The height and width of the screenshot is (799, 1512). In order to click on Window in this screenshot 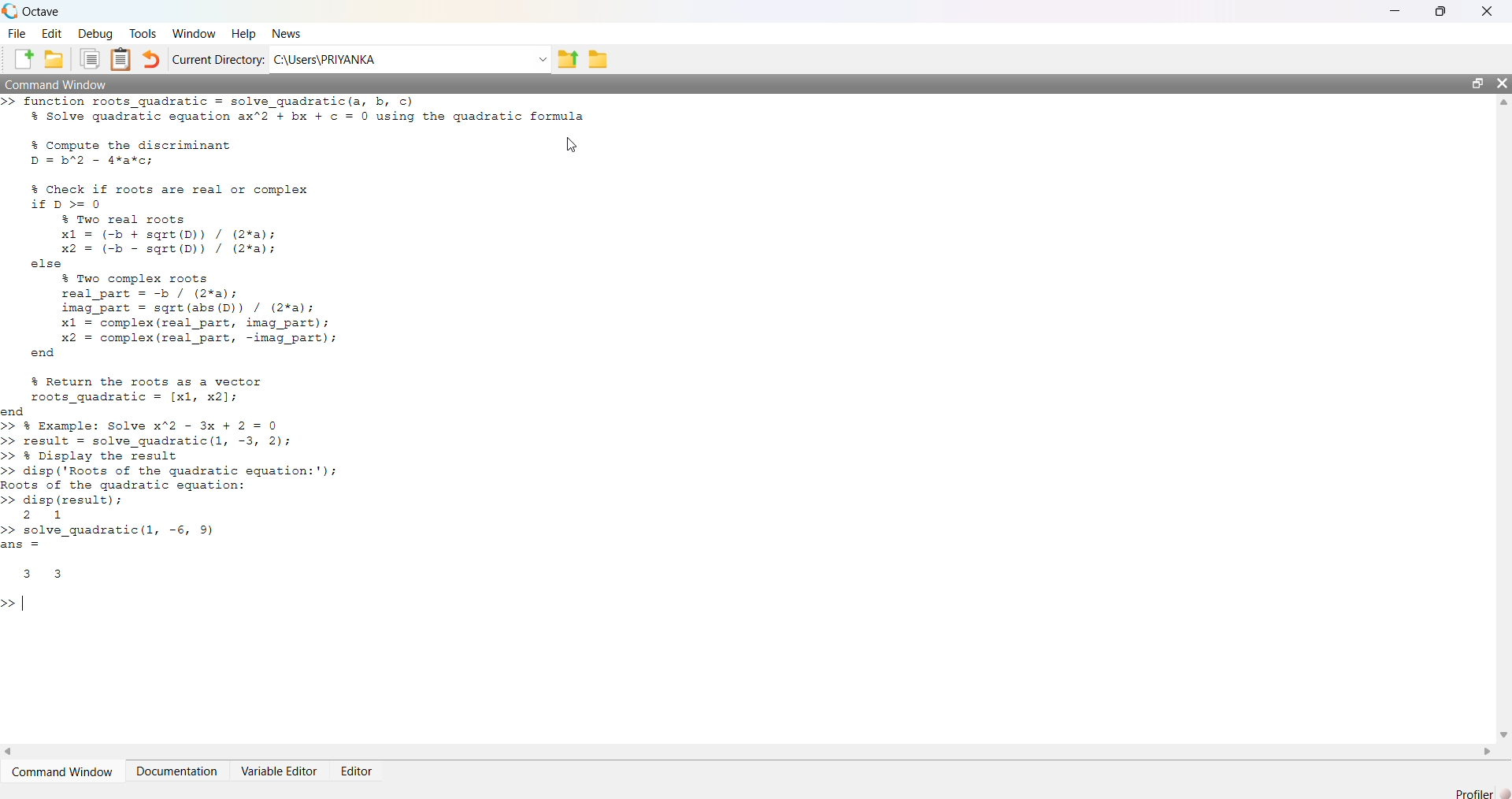, I will do `click(193, 32)`.